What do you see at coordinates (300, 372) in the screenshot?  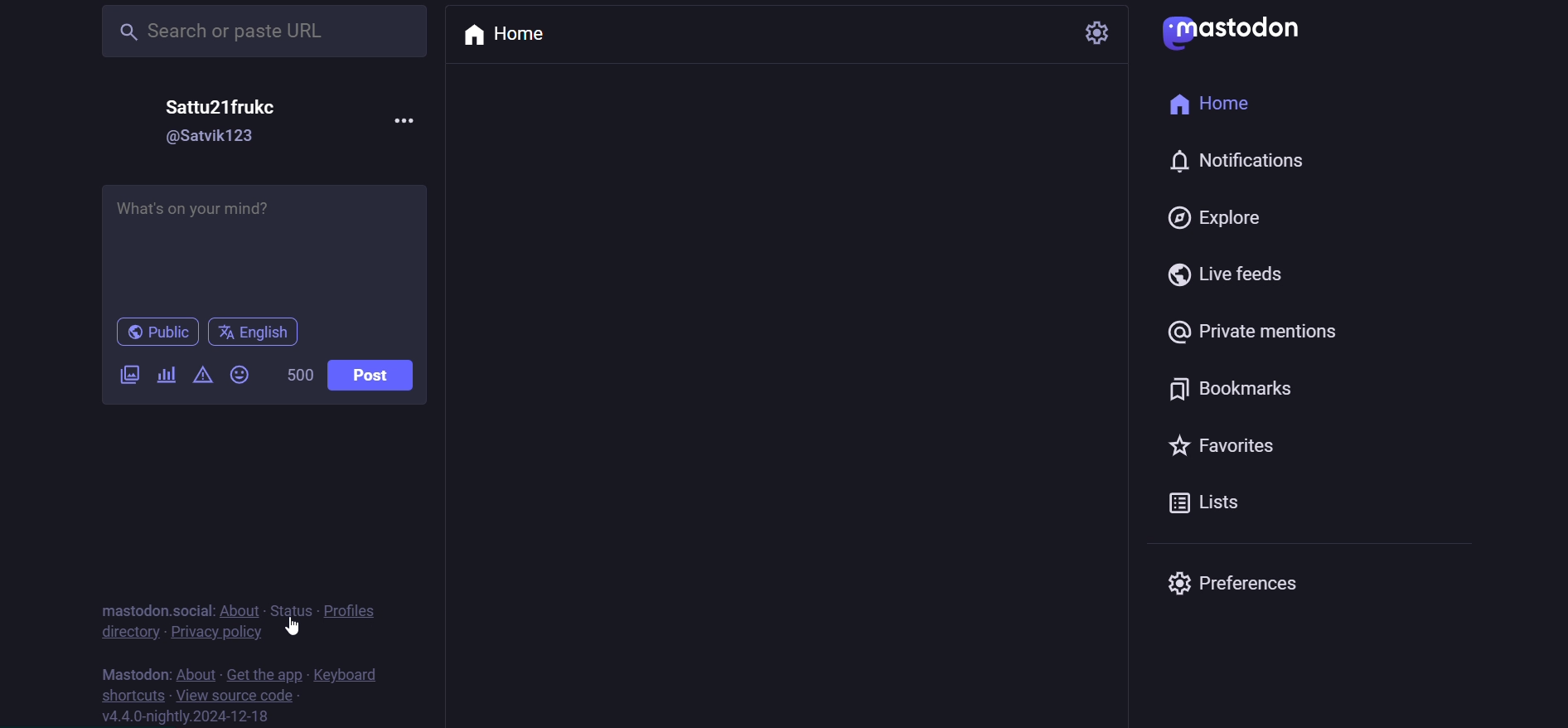 I see `word limit` at bounding box center [300, 372].